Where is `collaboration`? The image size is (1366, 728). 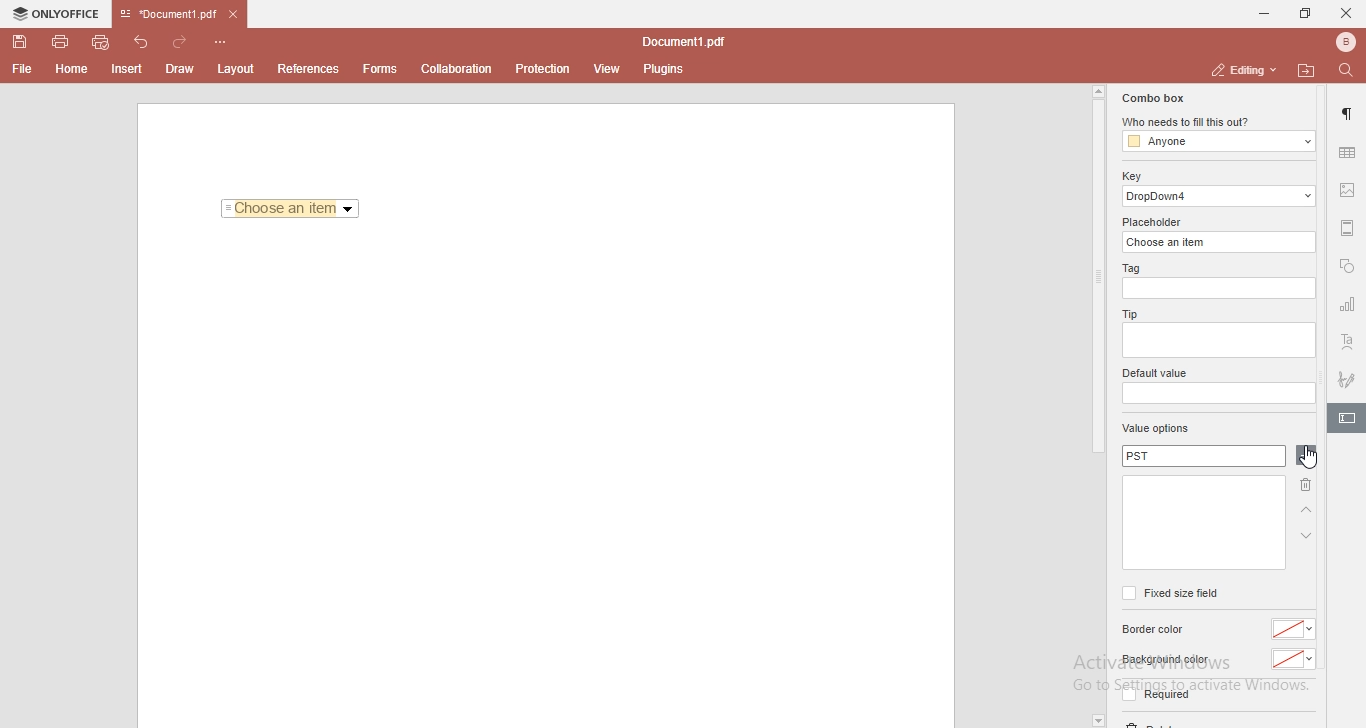 collaboration is located at coordinates (461, 67).